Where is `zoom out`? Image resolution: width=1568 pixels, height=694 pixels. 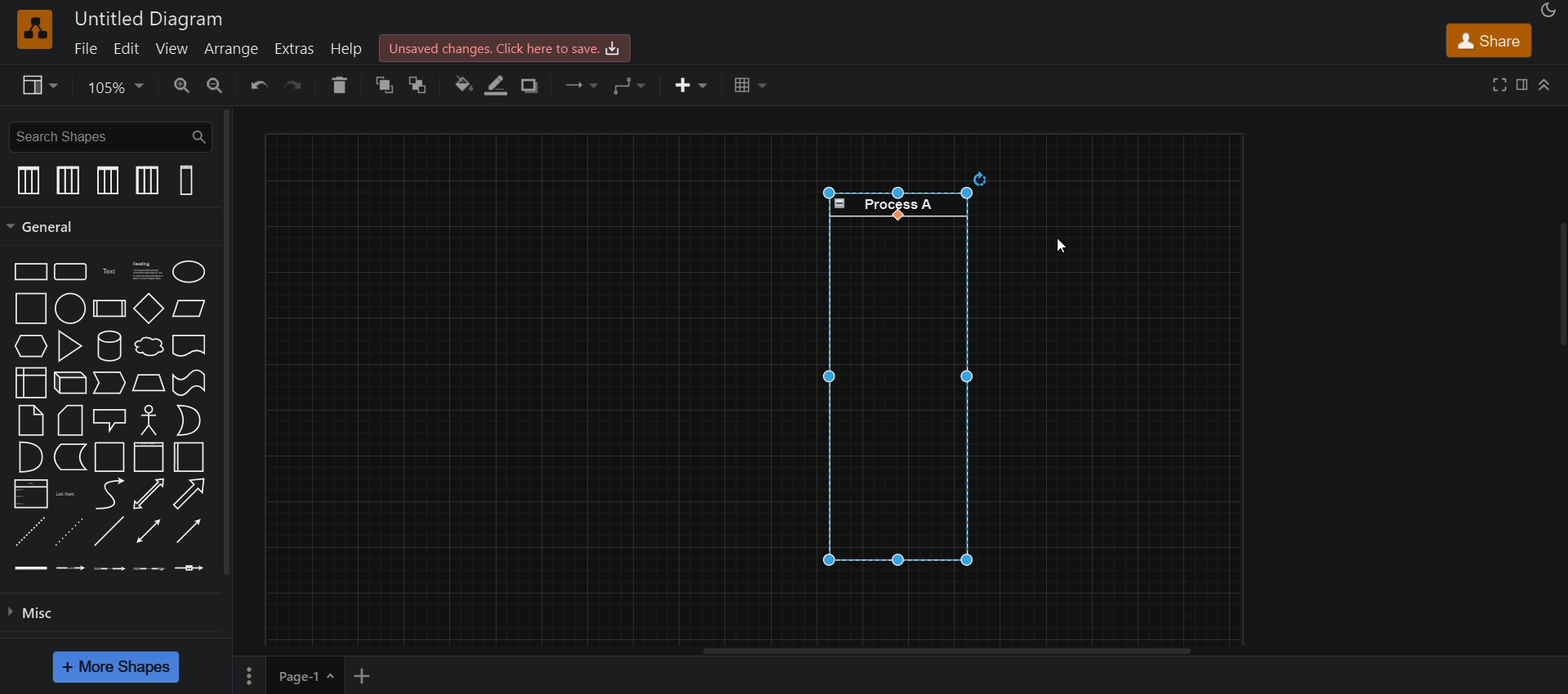 zoom out is located at coordinates (216, 87).